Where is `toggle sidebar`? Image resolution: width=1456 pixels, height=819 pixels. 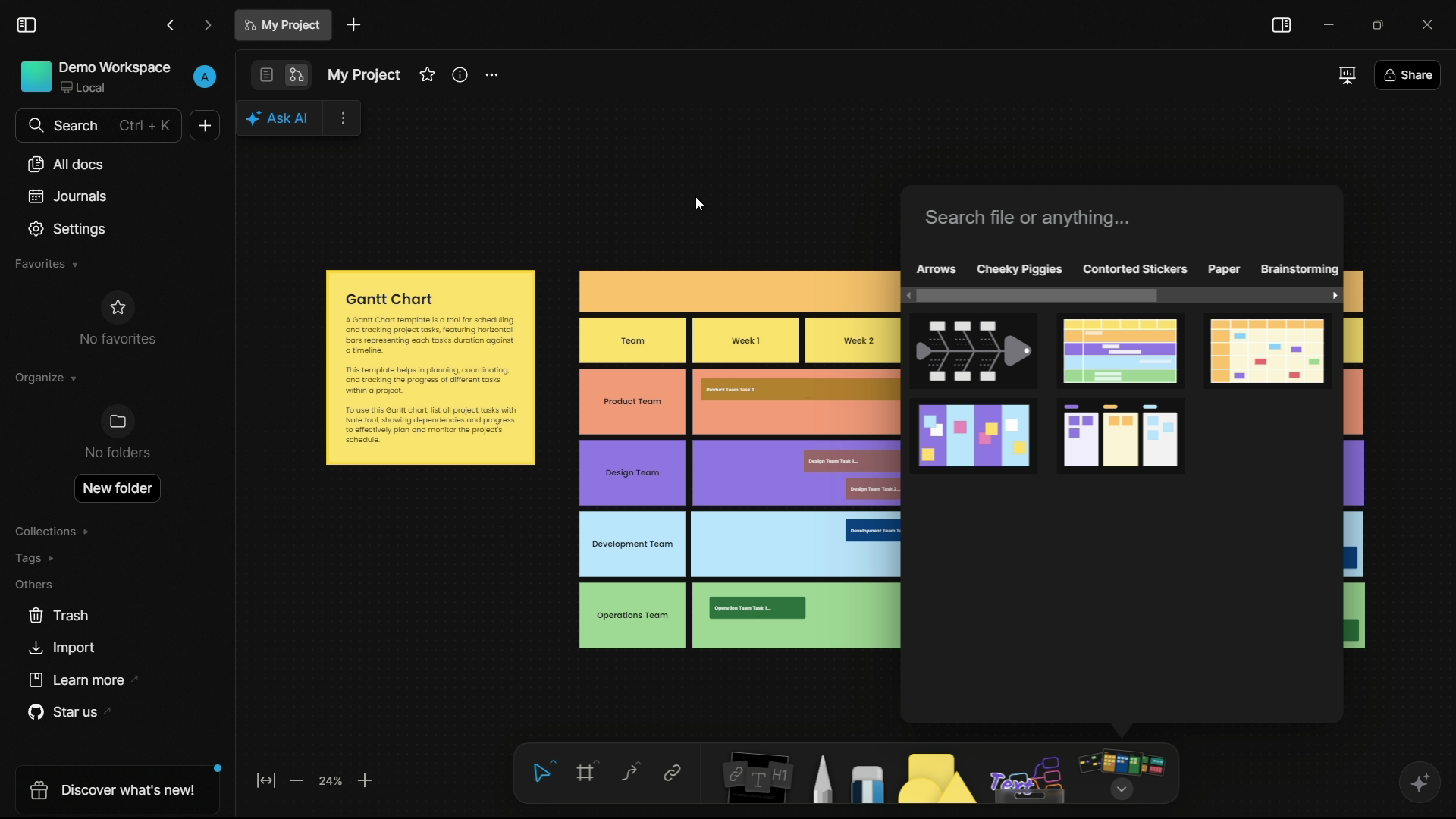 toggle sidebar is located at coordinates (1282, 27).